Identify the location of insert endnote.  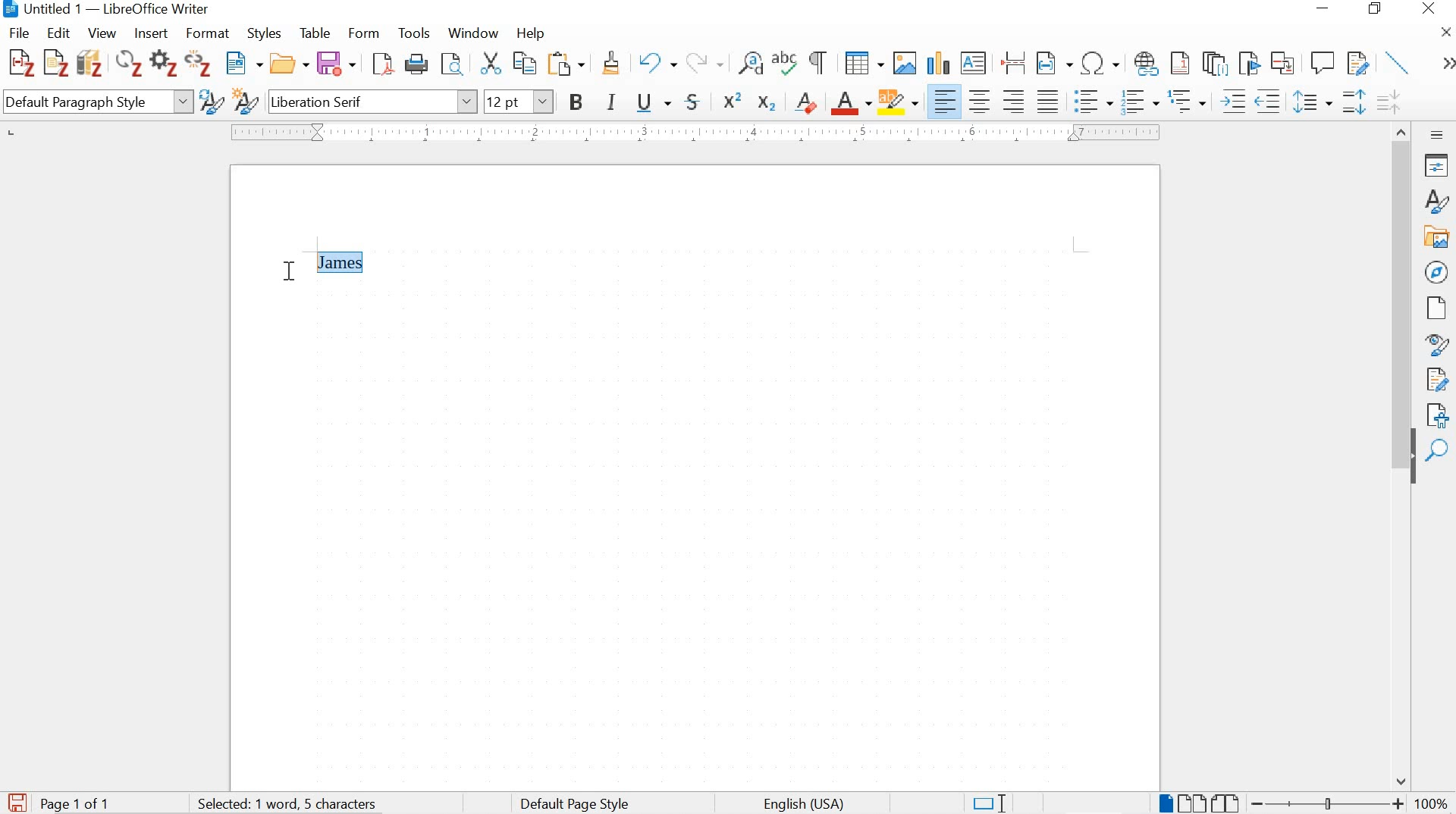
(1215, 64).